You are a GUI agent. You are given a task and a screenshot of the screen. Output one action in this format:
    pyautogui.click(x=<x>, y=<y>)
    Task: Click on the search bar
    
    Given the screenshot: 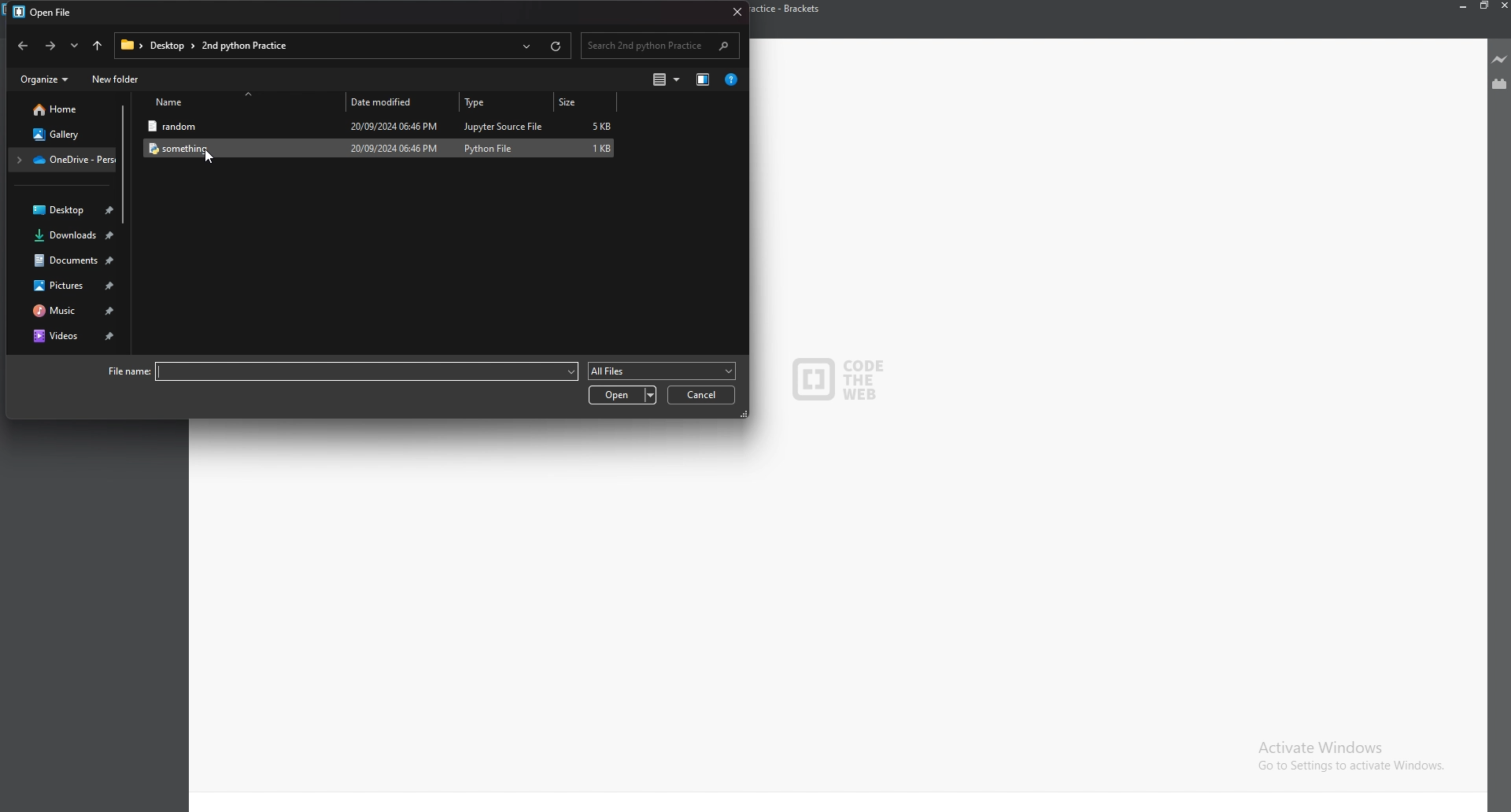 What is the action you would take?
    pyautogui.click(x=659, y=46)
    